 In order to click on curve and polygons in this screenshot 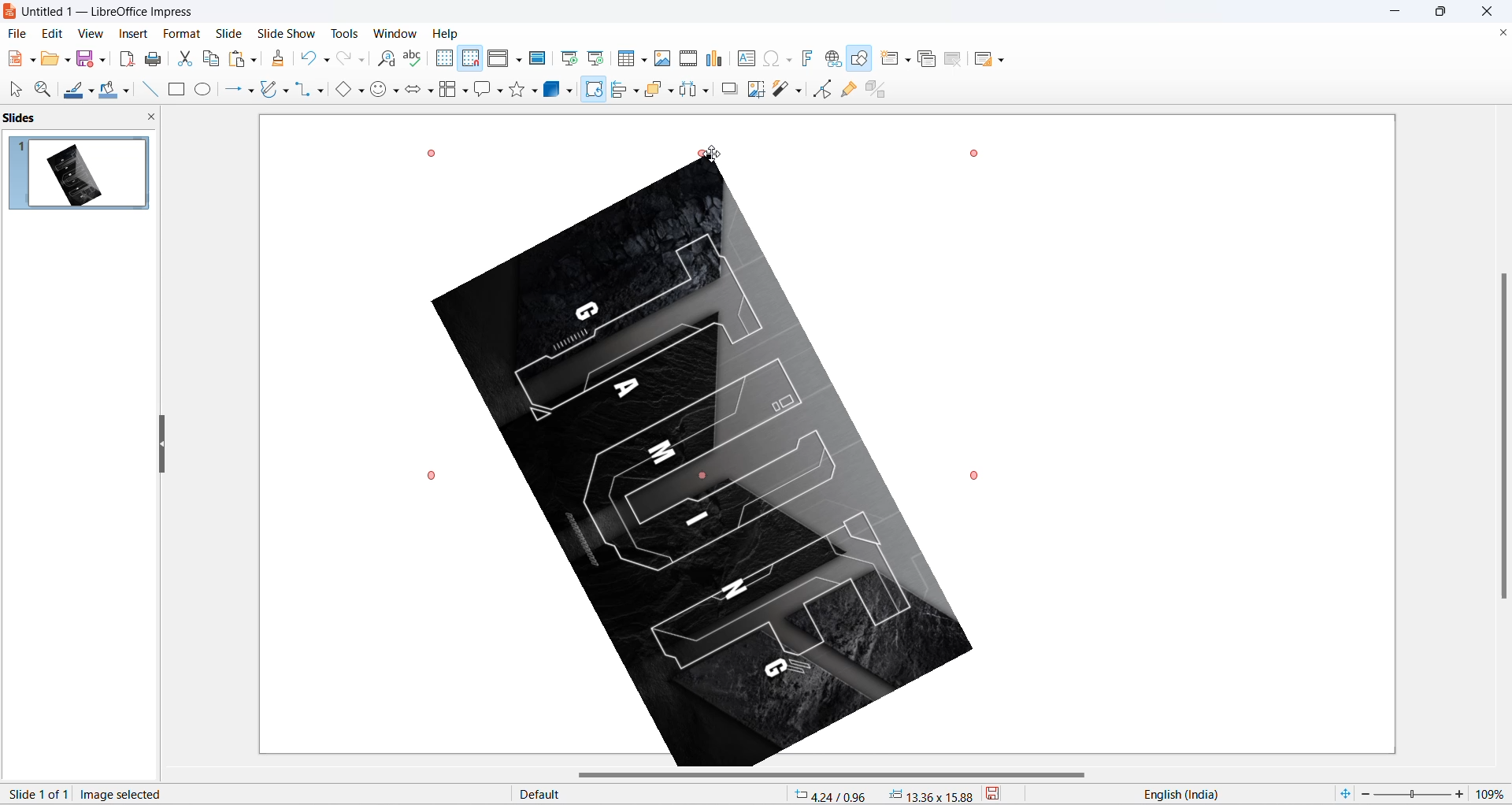, I will do `click(286, 92)`.